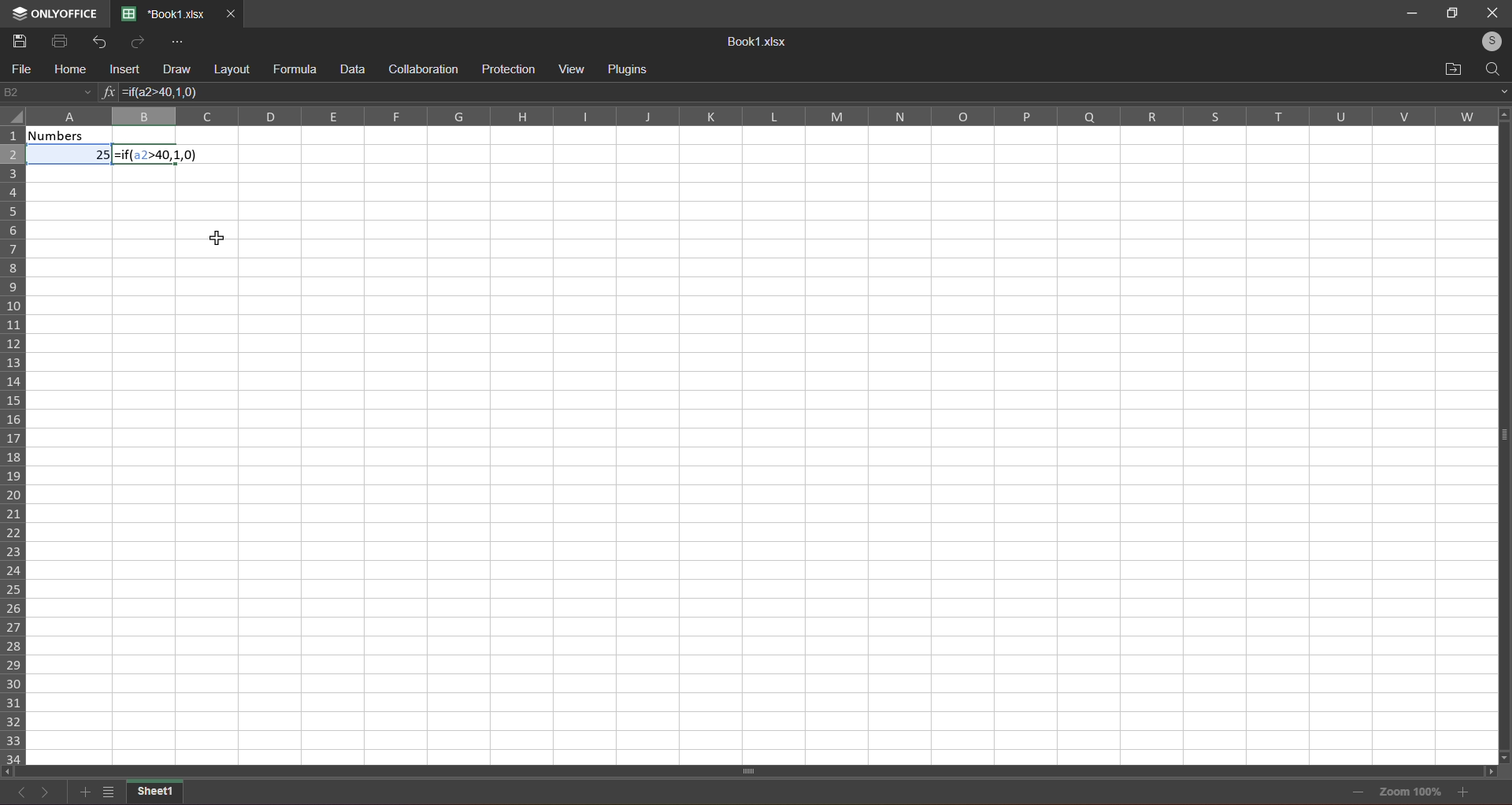  What do you see at coordinates (422, 68) in the screenshot?
I see `collaboration` at bounding box center [422, 68].